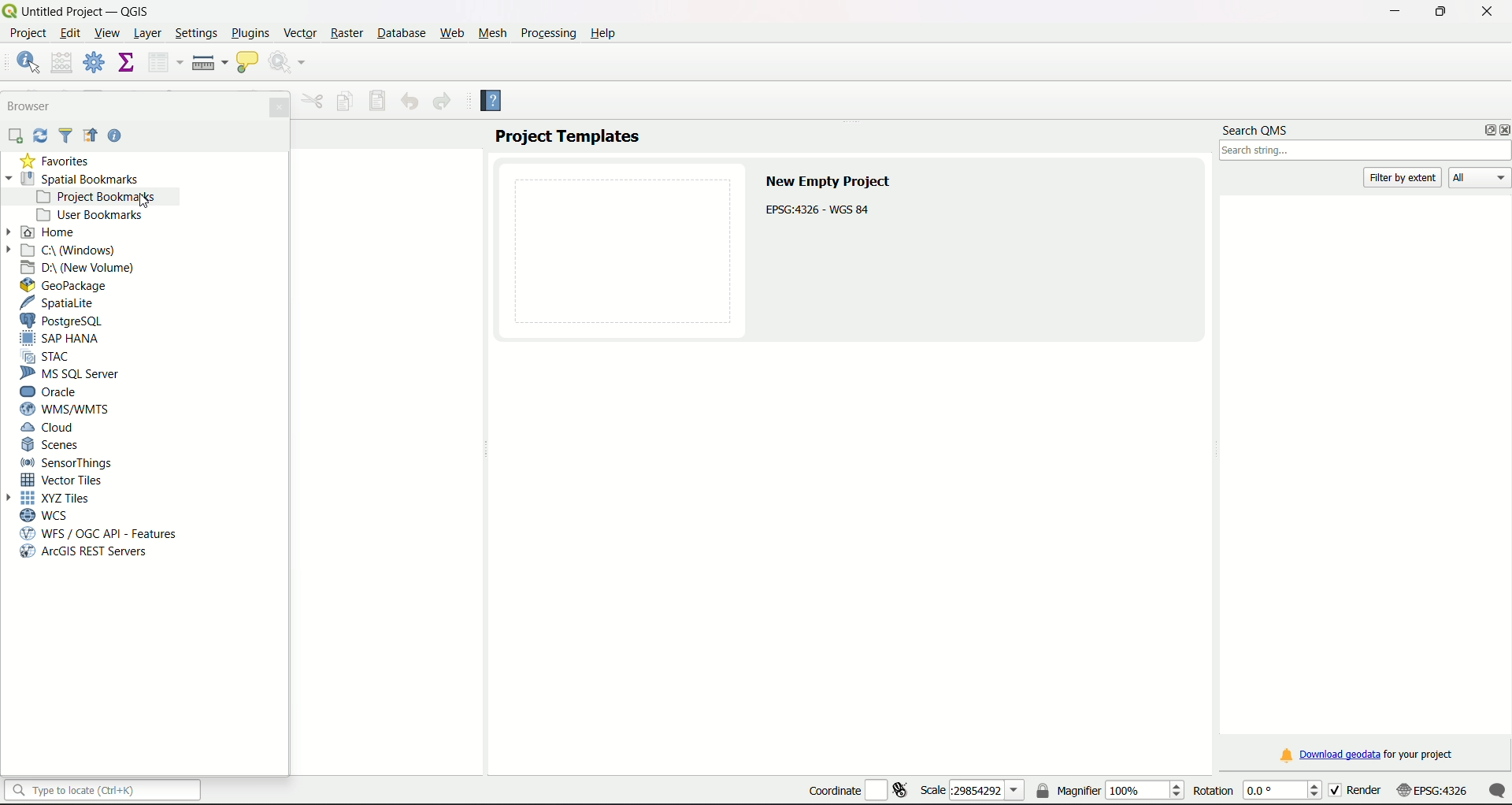  What do you see at coordinates (103, 790) in the screenshot?
I see `search bar` at bounding box center [103, 790].